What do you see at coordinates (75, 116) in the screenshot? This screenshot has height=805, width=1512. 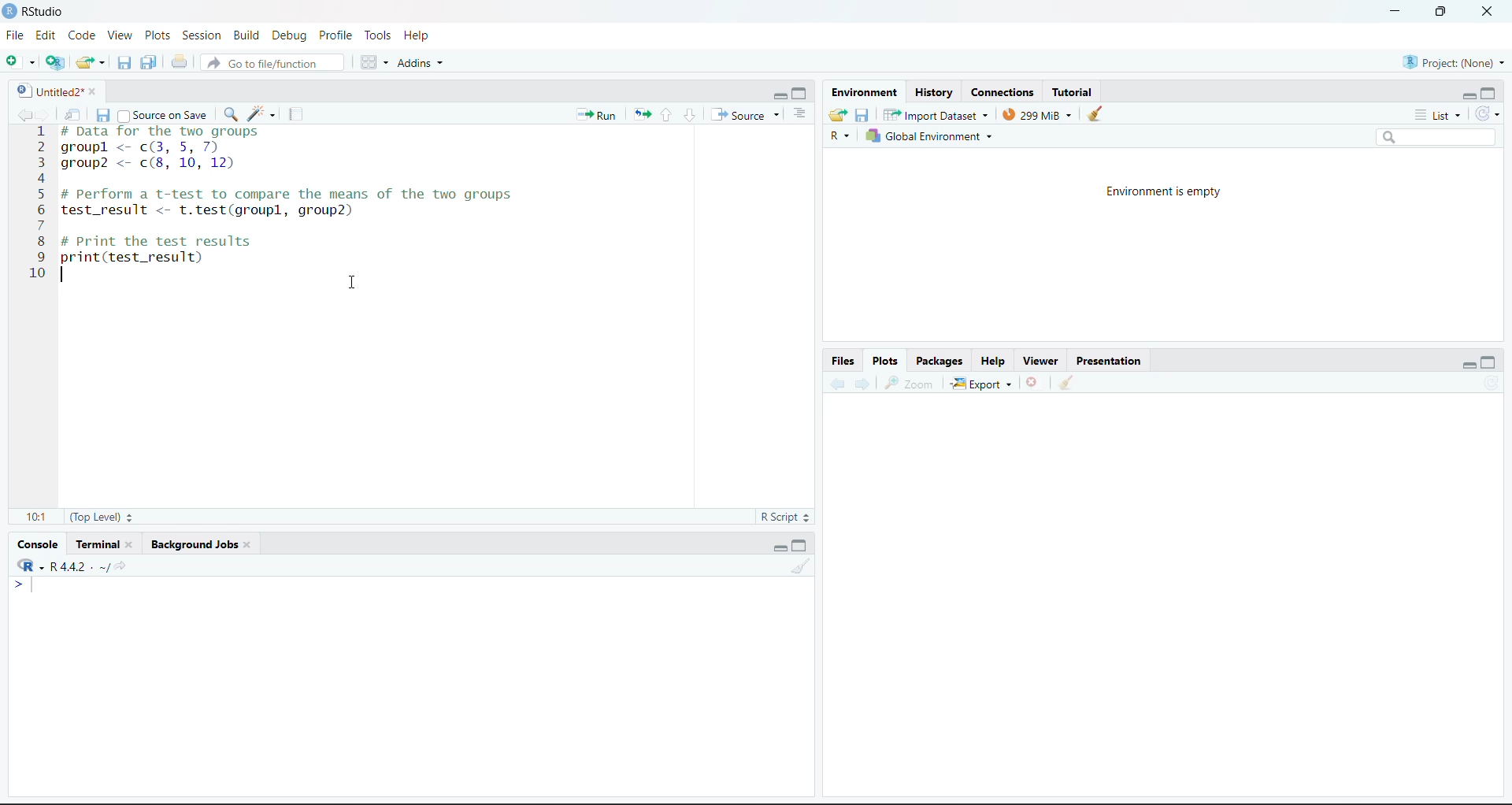 I see `show in new window` at bounding box center [75, 116].